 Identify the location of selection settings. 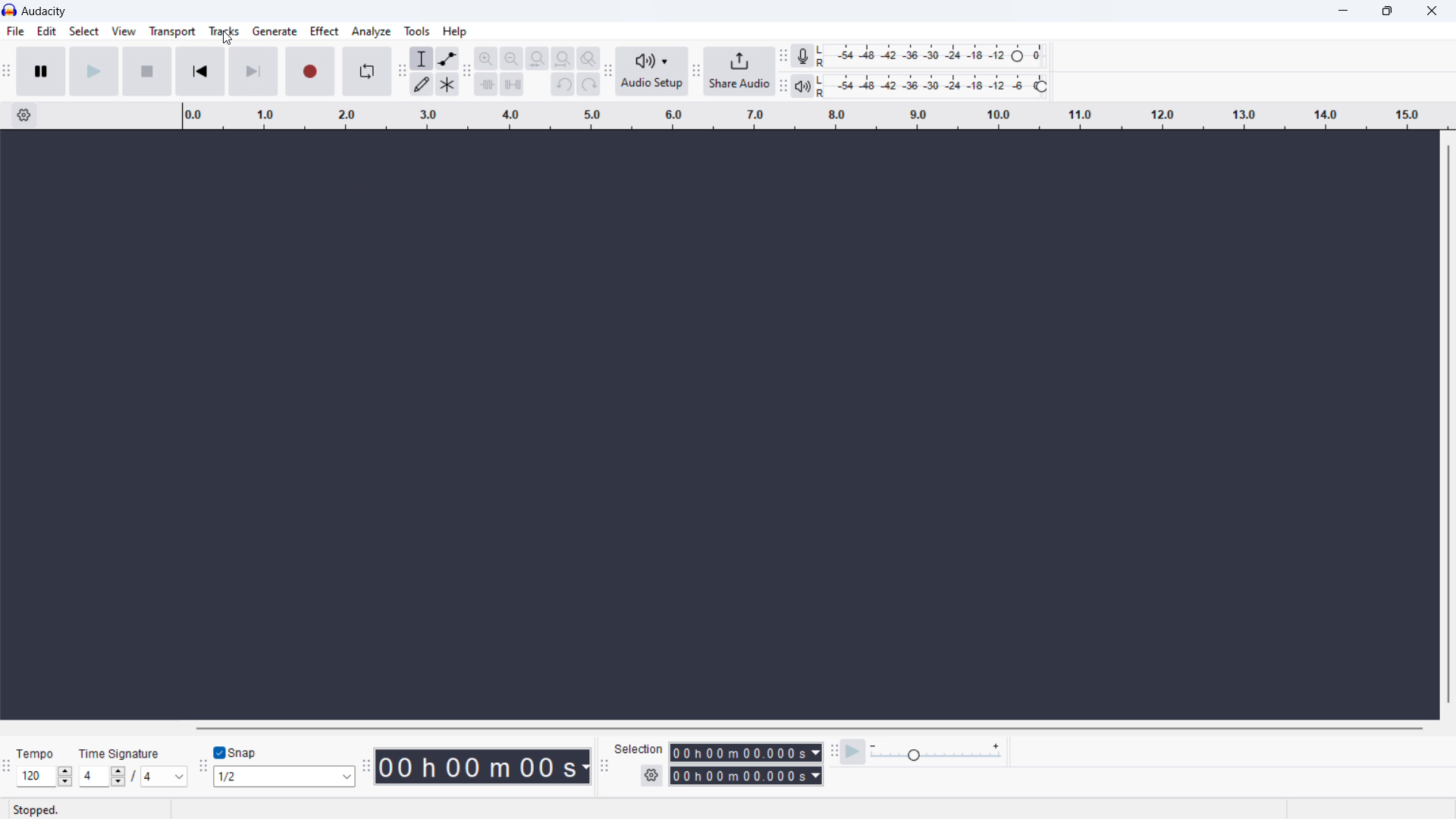
(651, 776).